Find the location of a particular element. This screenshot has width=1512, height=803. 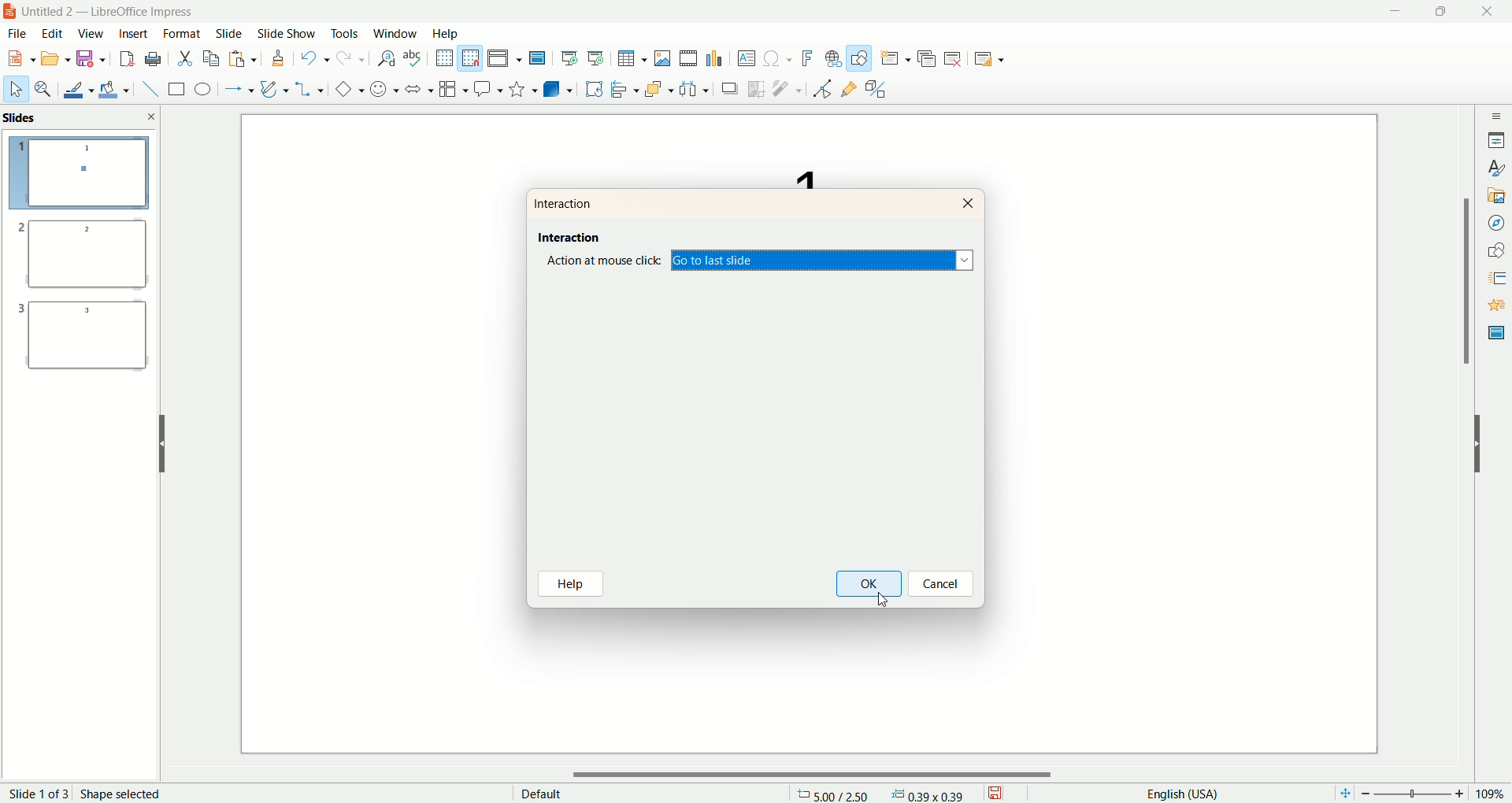

text is located at coordinates (795, 171).